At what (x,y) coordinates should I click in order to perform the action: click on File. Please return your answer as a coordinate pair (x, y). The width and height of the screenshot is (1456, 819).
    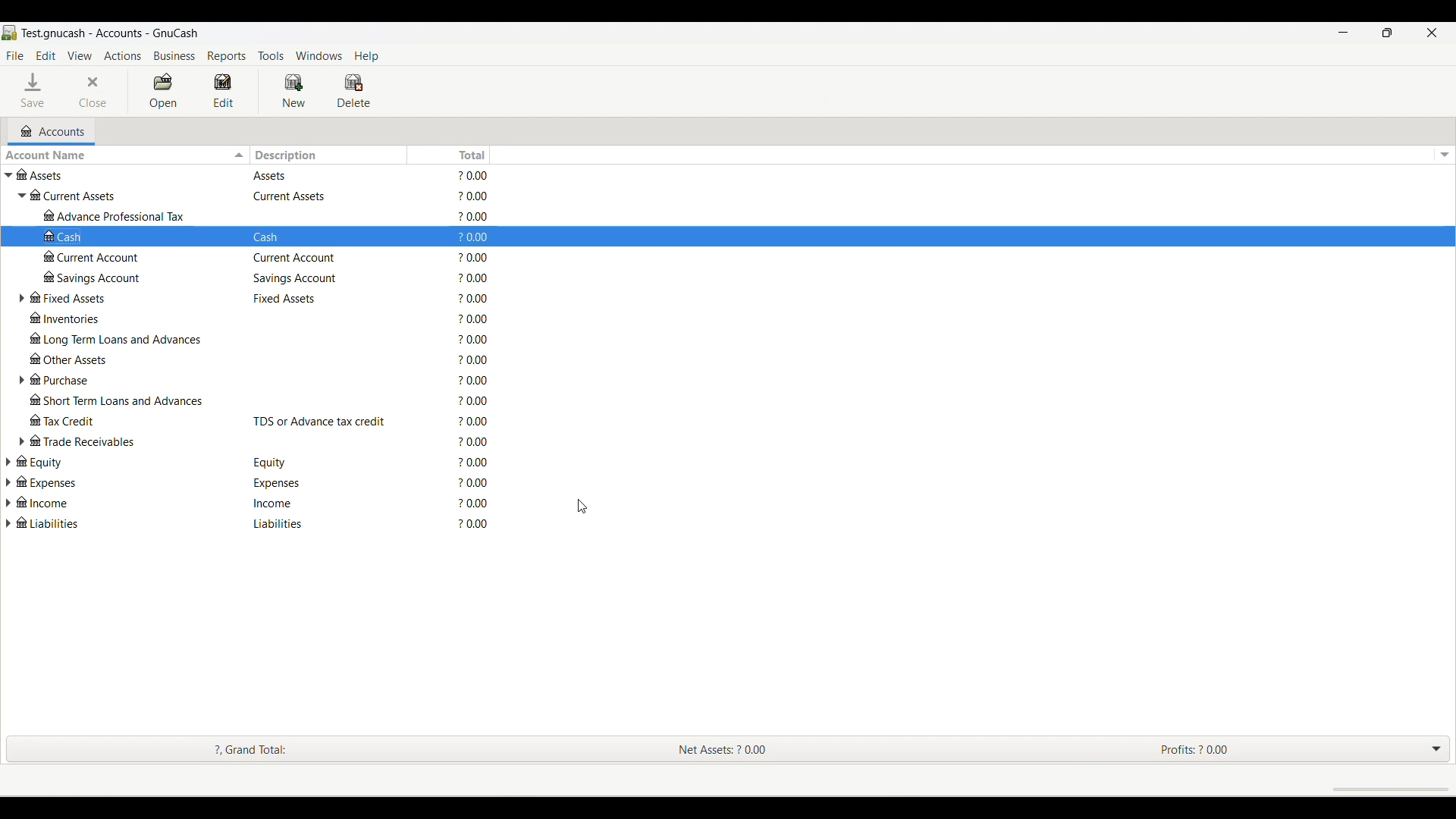
    Looking at the image, I should click on (15, 56).